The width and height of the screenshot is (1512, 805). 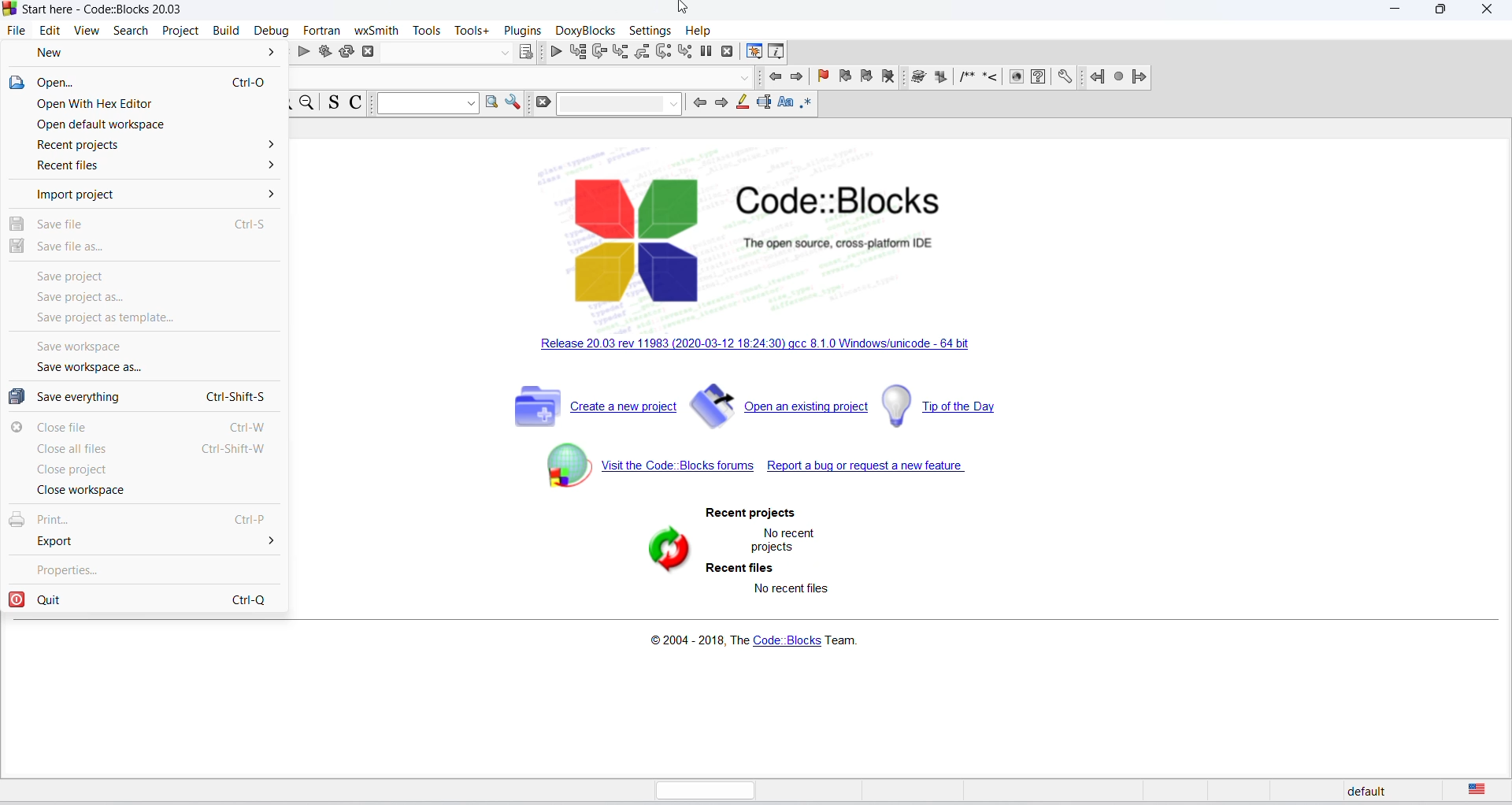 I want to click on option window, so click(x=490, y=103).